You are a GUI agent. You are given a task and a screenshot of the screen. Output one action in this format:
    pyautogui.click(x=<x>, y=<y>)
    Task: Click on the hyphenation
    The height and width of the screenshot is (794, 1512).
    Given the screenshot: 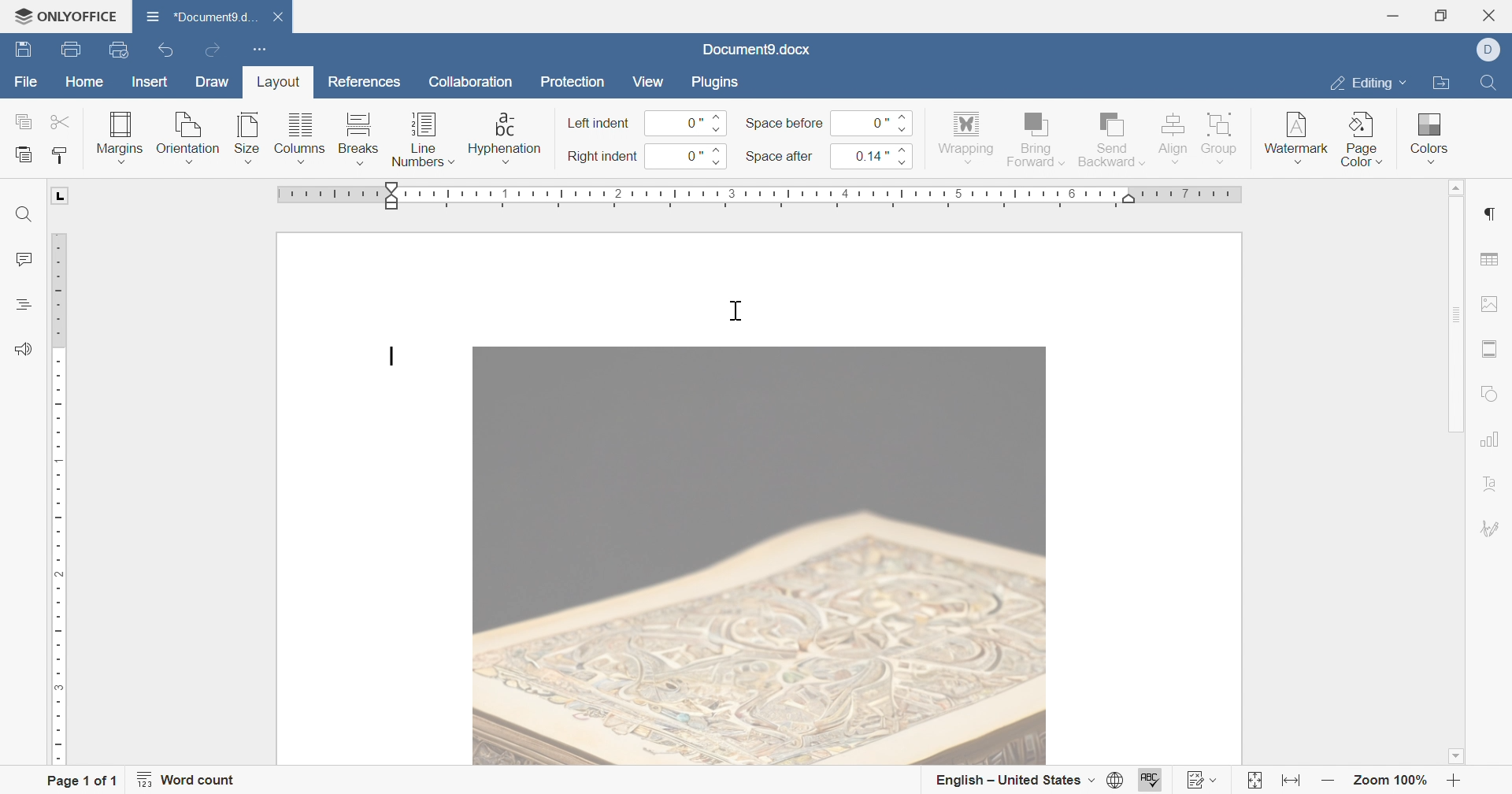 What is the action you would take?
    pyautogui.click(x=504, y=138)
    